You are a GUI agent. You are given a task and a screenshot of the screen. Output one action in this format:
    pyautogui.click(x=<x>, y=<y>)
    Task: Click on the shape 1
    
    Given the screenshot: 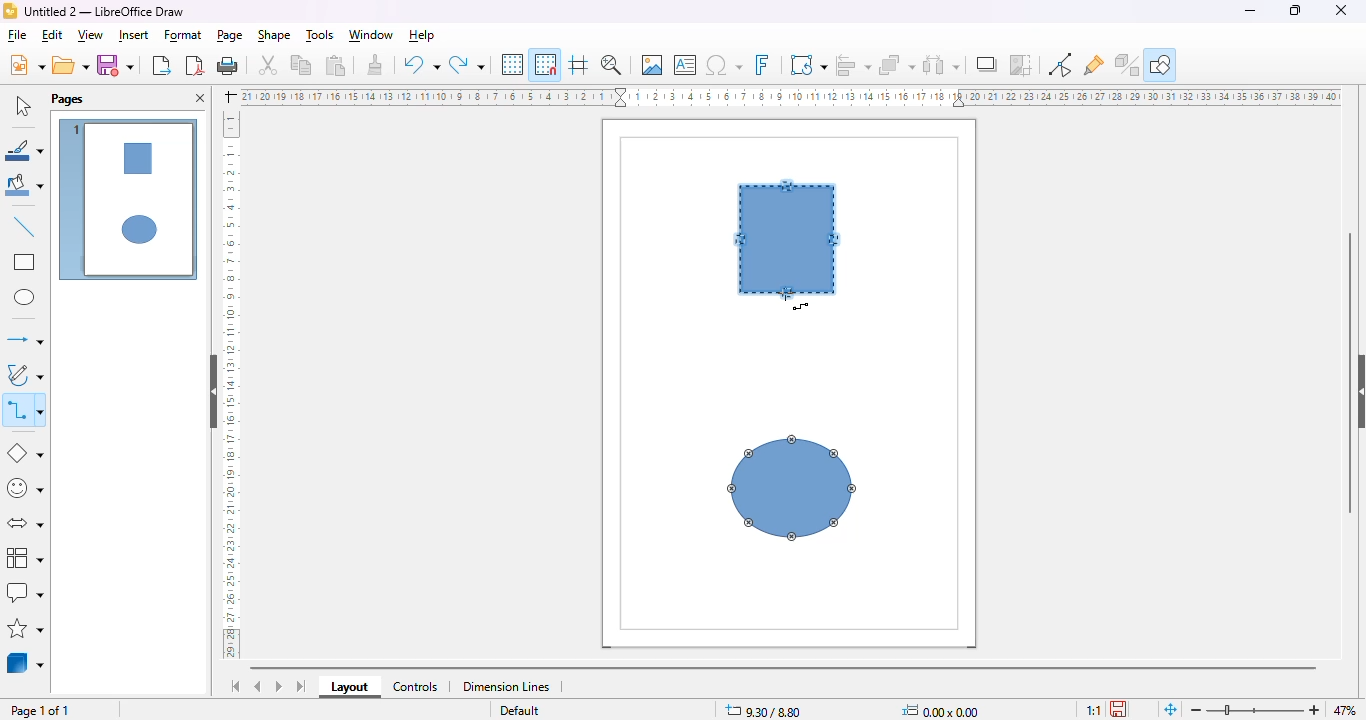 What is the action you would take?
    pyautogui.click(x=789, y=239)
    